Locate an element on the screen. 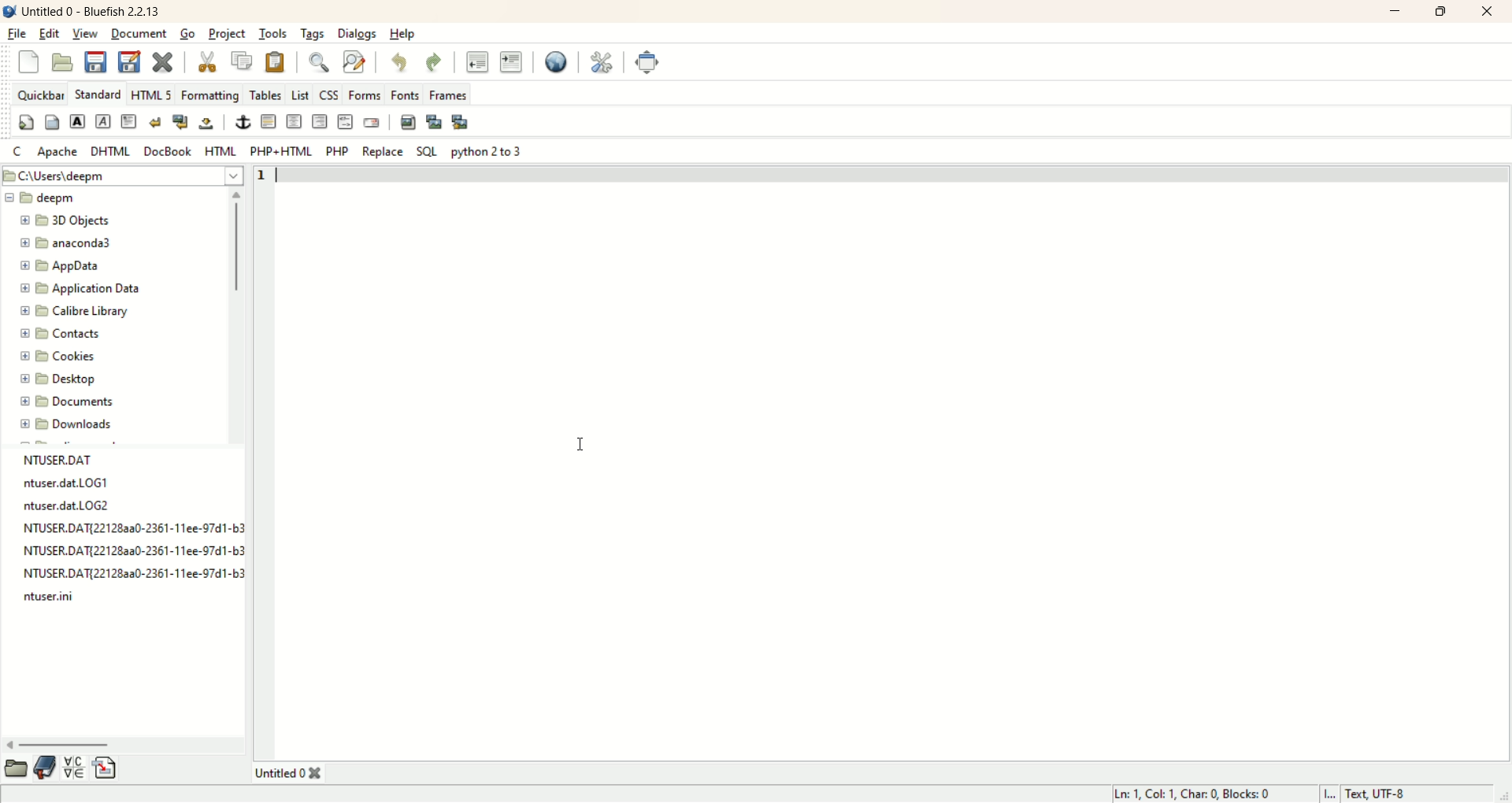  apache is located at coordinates (61, 153).